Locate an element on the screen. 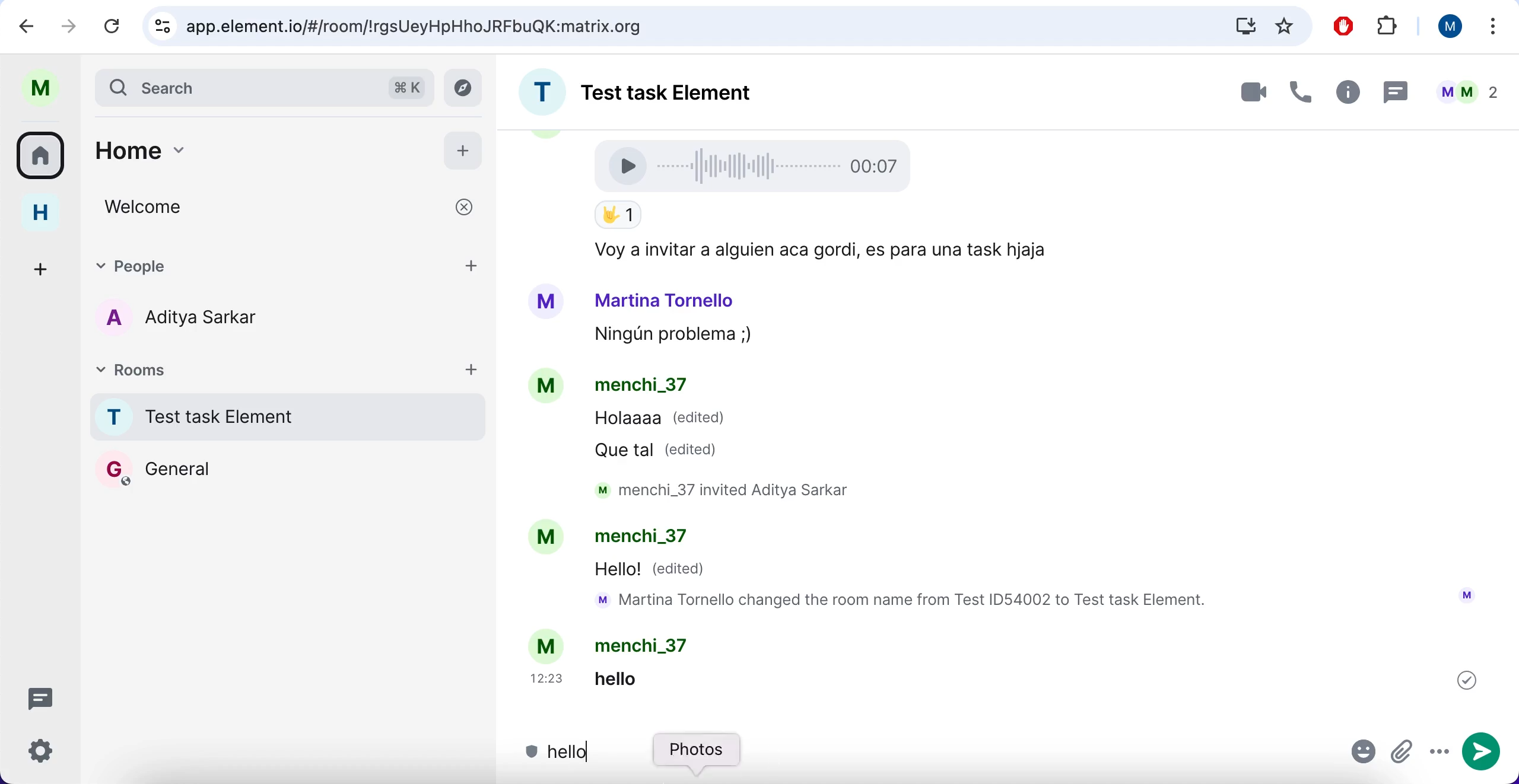  videocall is located at coordinates (1252, 91).